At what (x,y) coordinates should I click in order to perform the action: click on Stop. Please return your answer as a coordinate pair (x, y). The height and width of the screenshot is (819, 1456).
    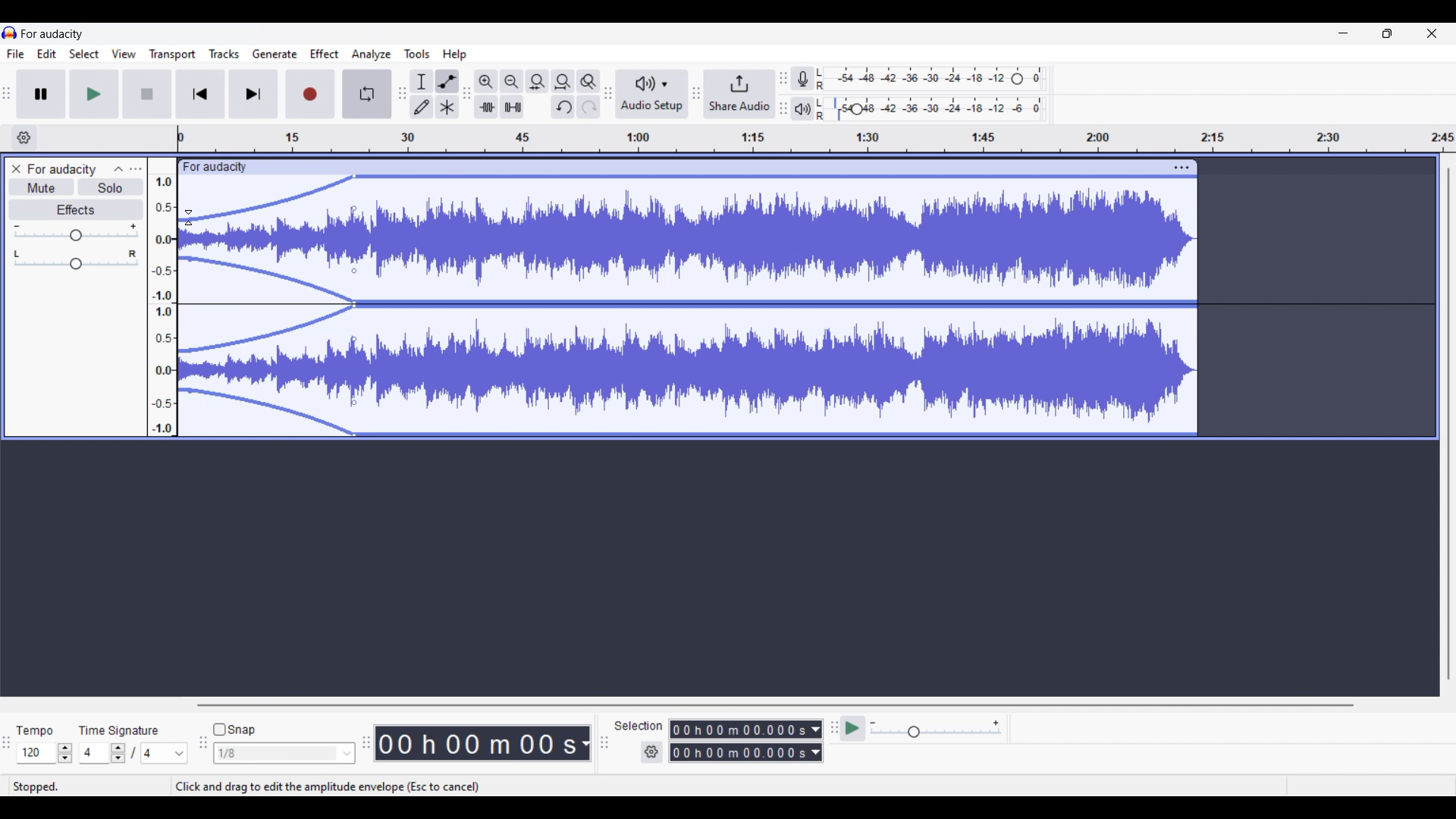
    Looking at the image, I should click on (148, 94).